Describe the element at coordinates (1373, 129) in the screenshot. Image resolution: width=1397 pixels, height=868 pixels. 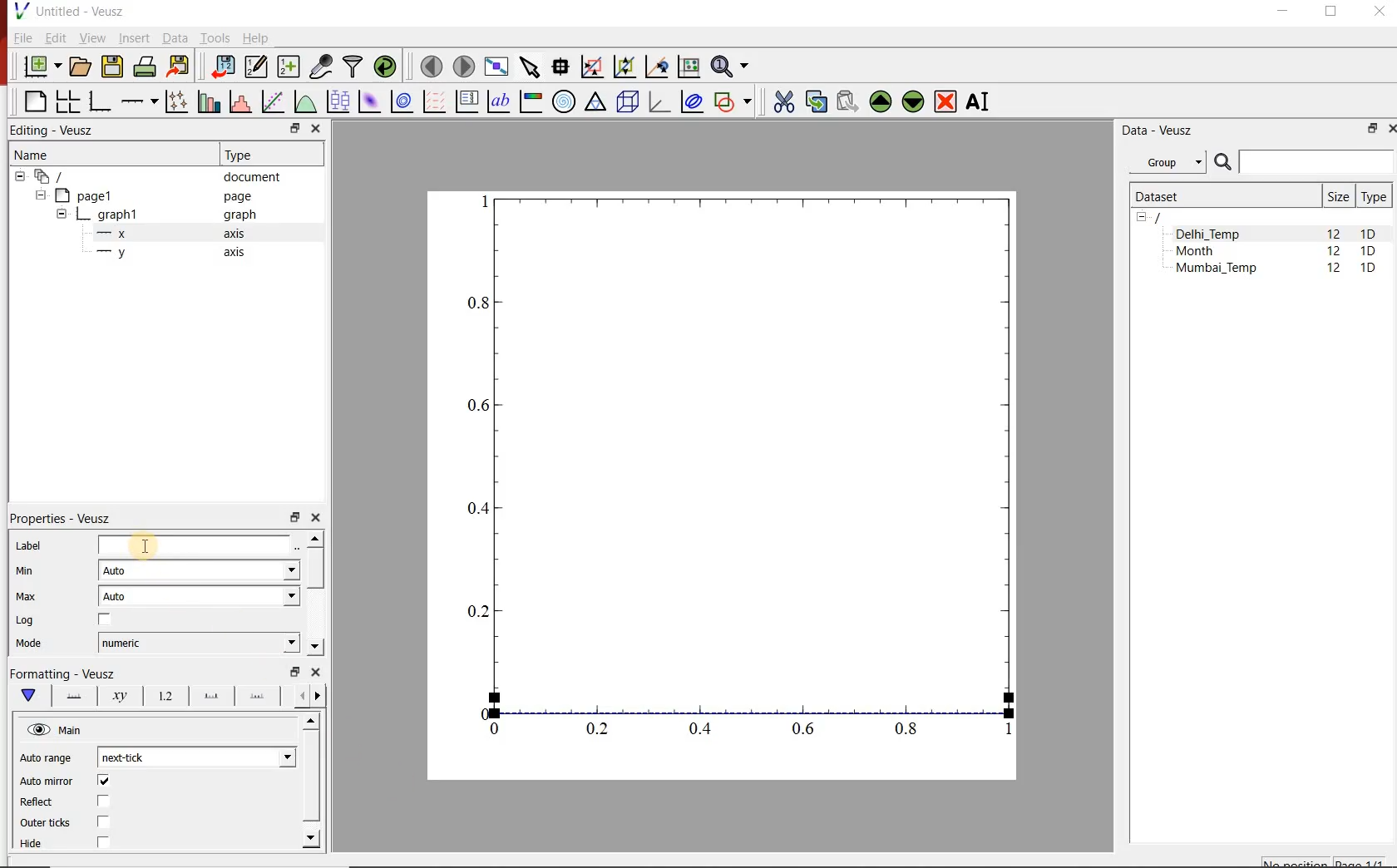
I see `RESTORE` at that location.